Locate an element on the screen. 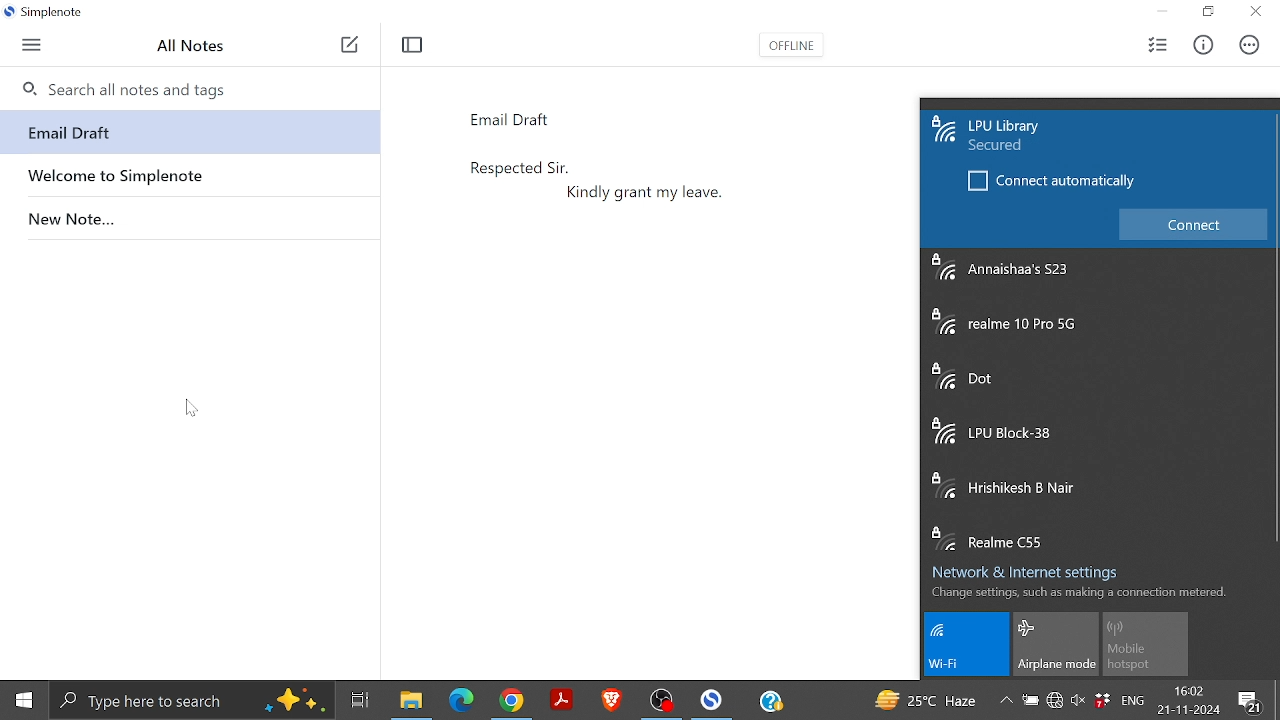 The width and height of the screenshot is (1280, 720). Language is located at coordinates (1136, 702).